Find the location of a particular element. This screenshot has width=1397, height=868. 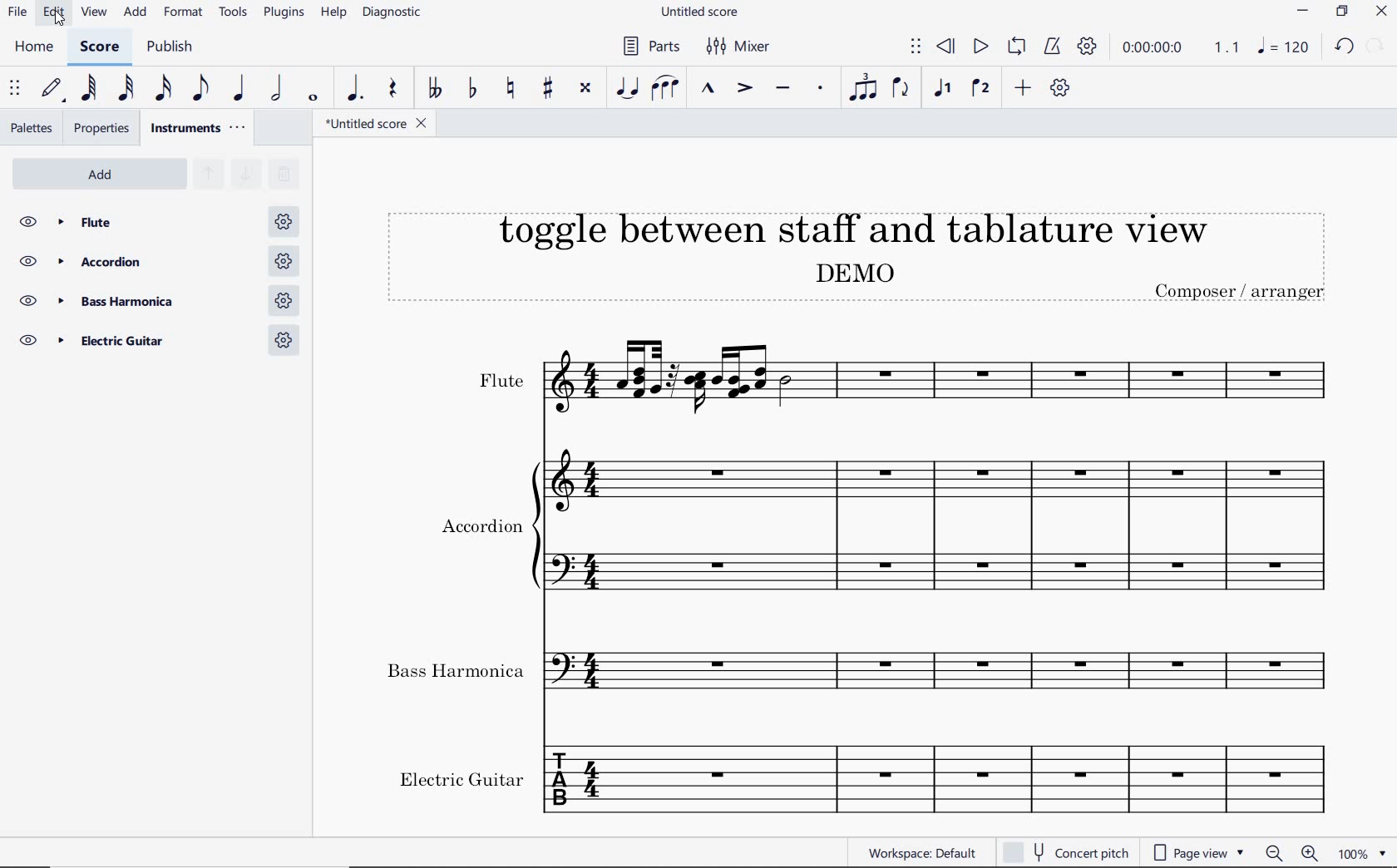

mixer is located at coordinates (741, 48).